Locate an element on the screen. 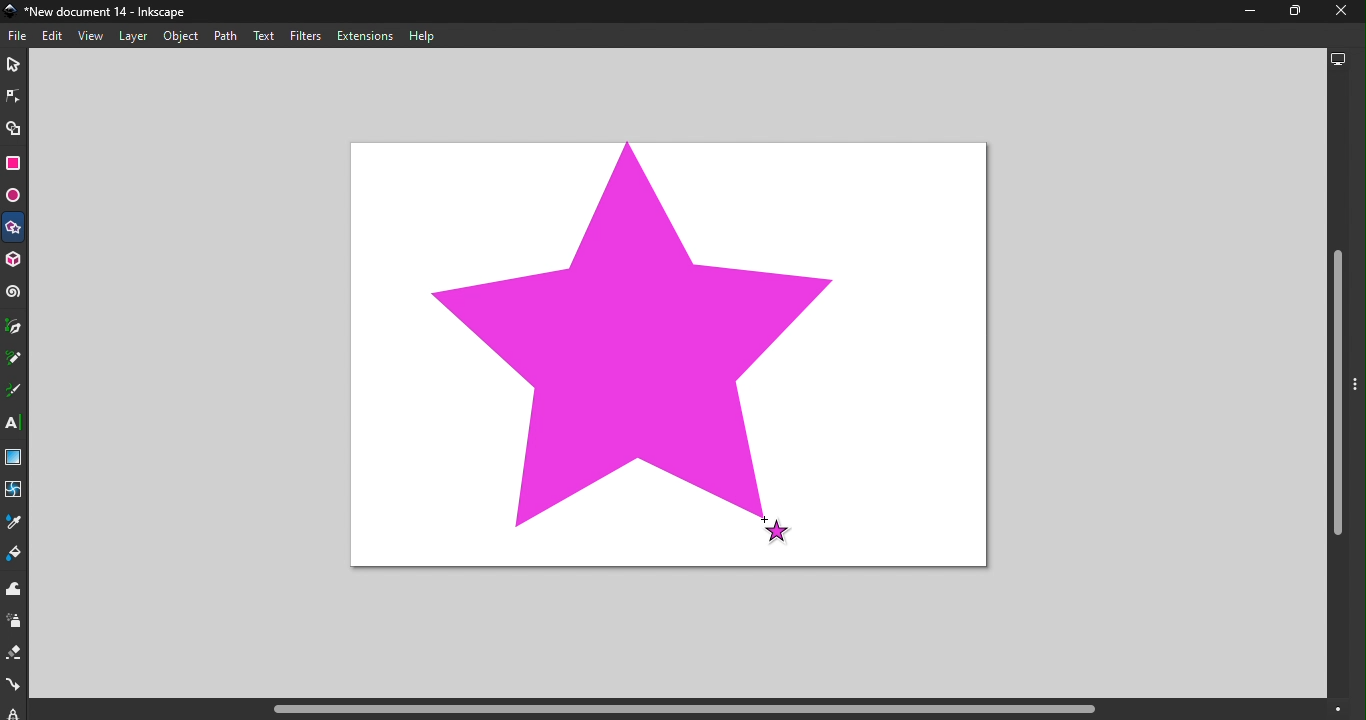 This screenshot has width=1366, height=720. Object is located at coordinates (181, 35).